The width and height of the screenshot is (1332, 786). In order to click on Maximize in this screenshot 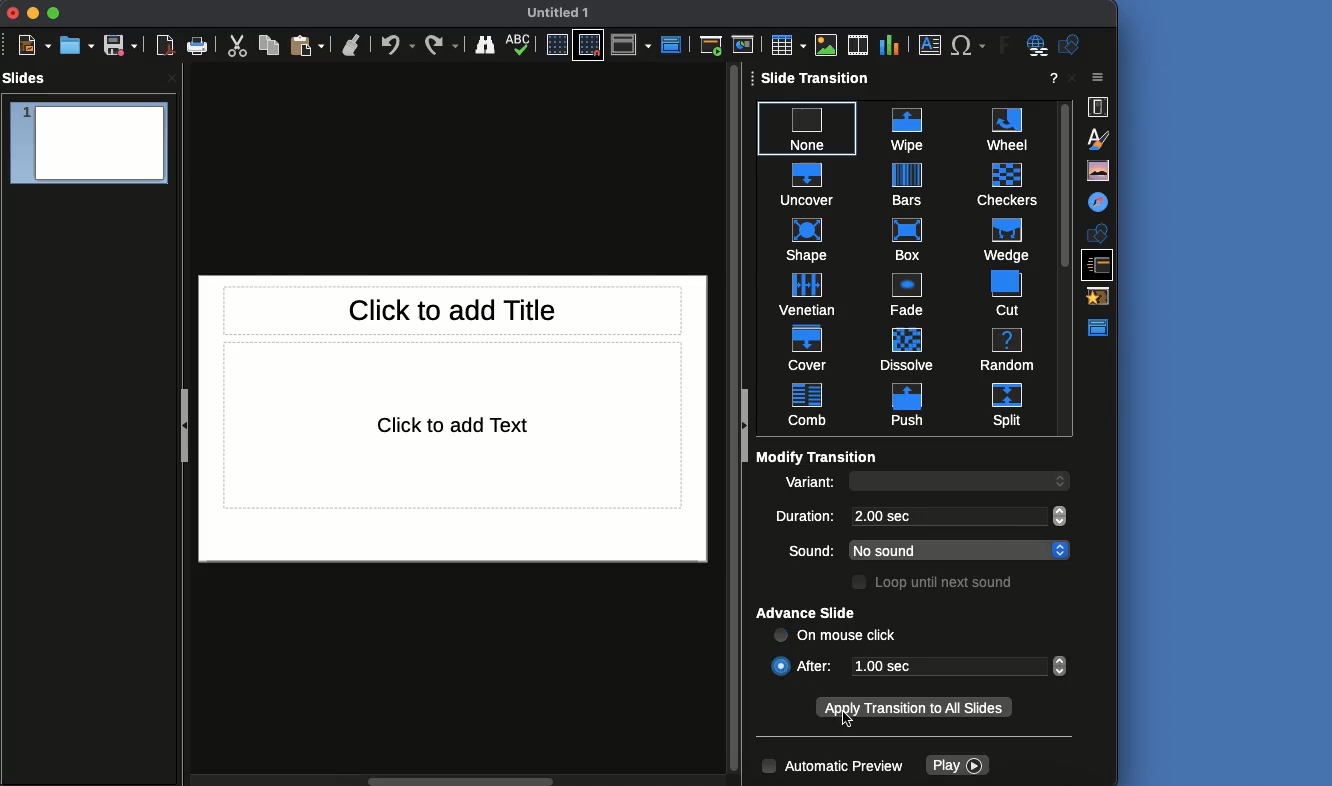, I will do `click(55, 14)`.